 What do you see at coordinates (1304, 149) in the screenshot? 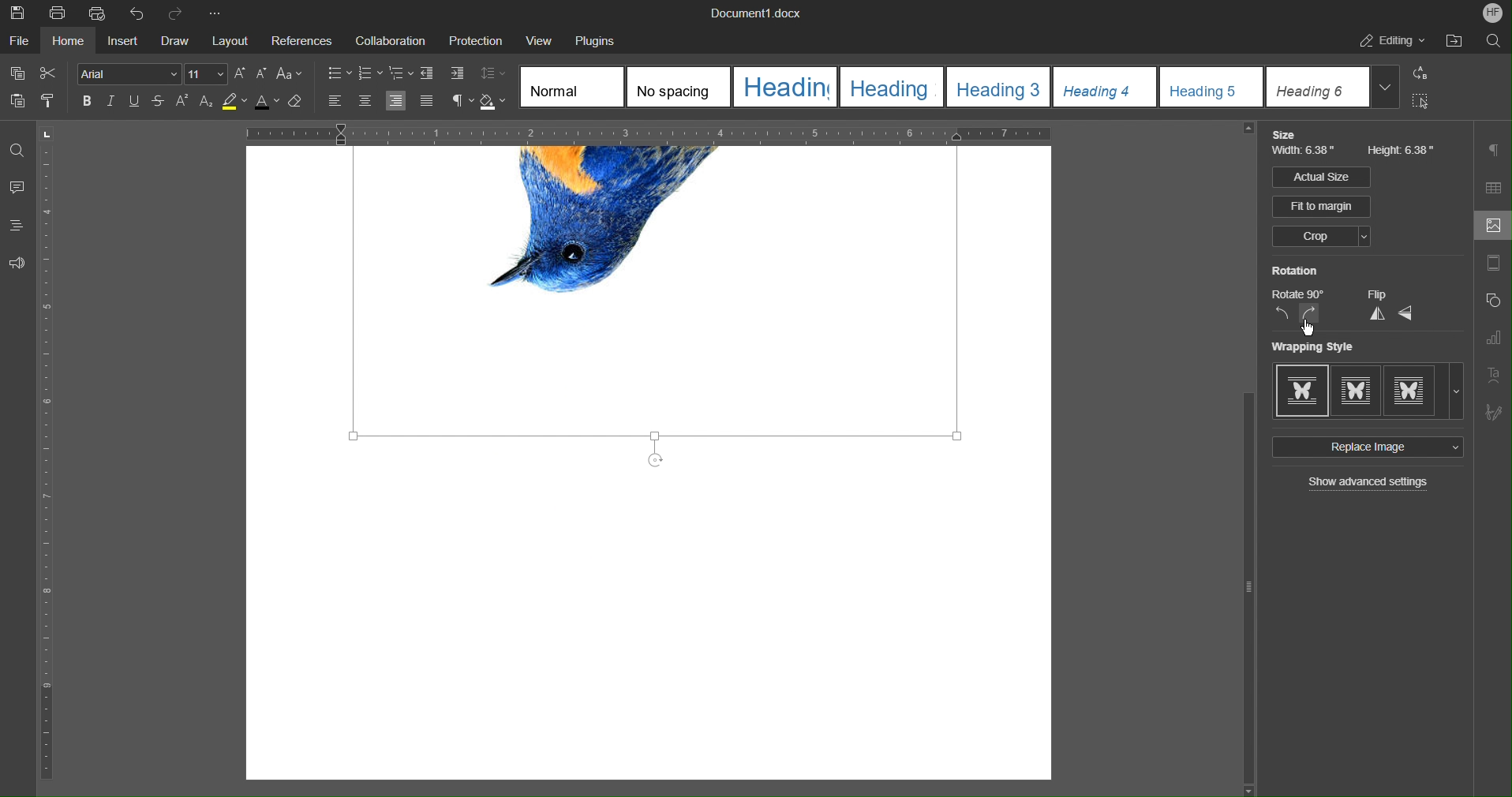
I see `Width` at bounding box center [1304, 149].